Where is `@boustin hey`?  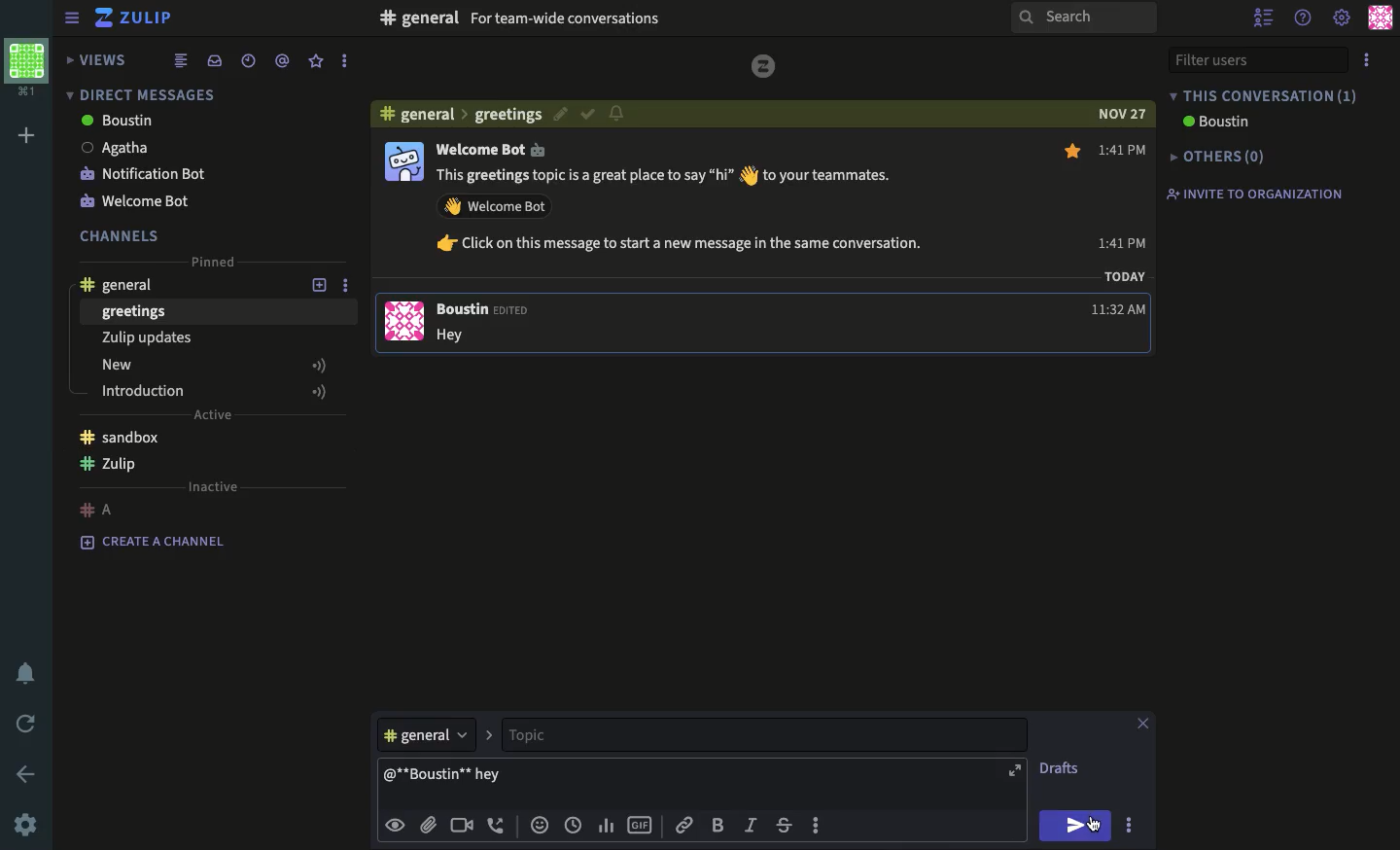 @boustin hey is located at coordinates (448, 773).